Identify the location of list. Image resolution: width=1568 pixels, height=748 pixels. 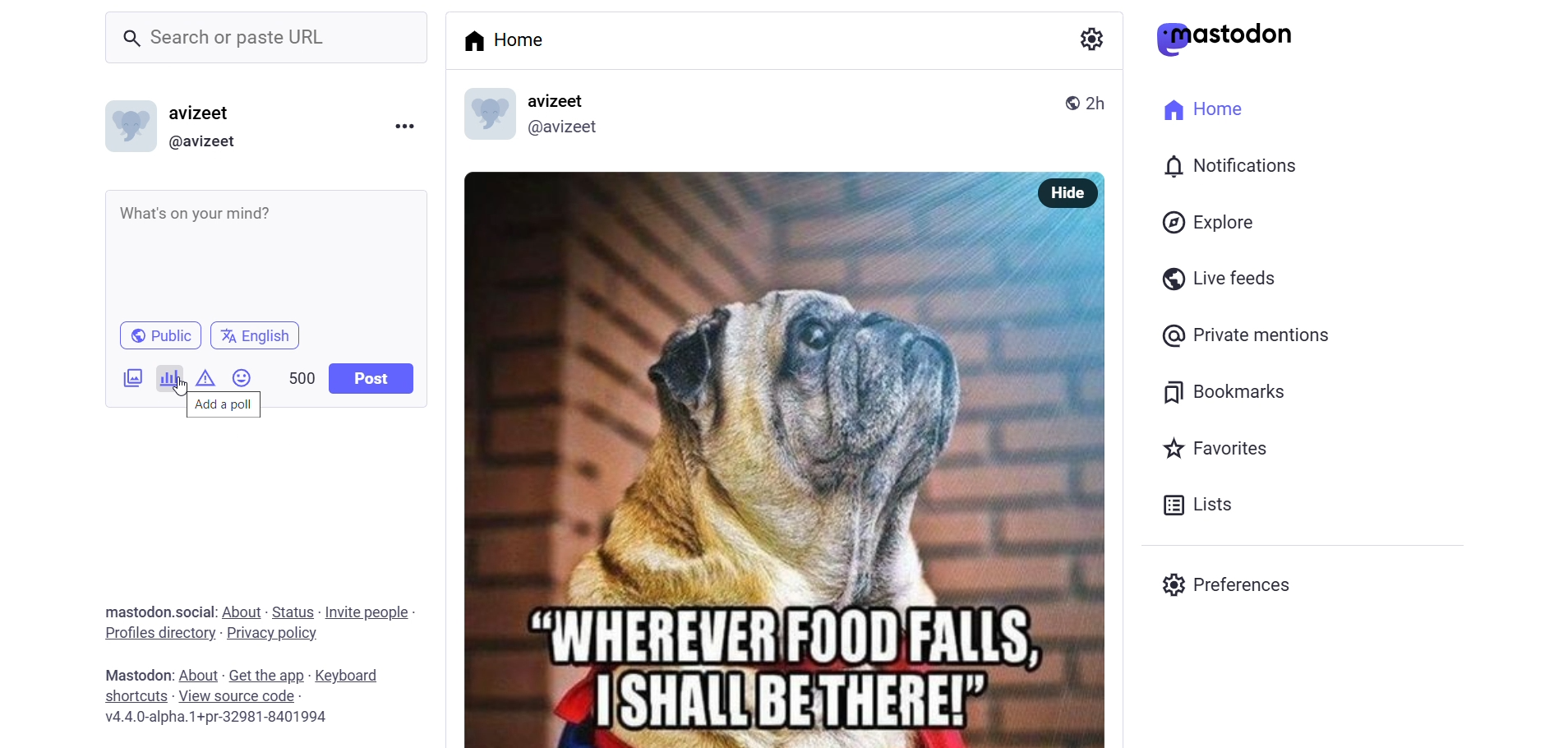
(1193, 505).